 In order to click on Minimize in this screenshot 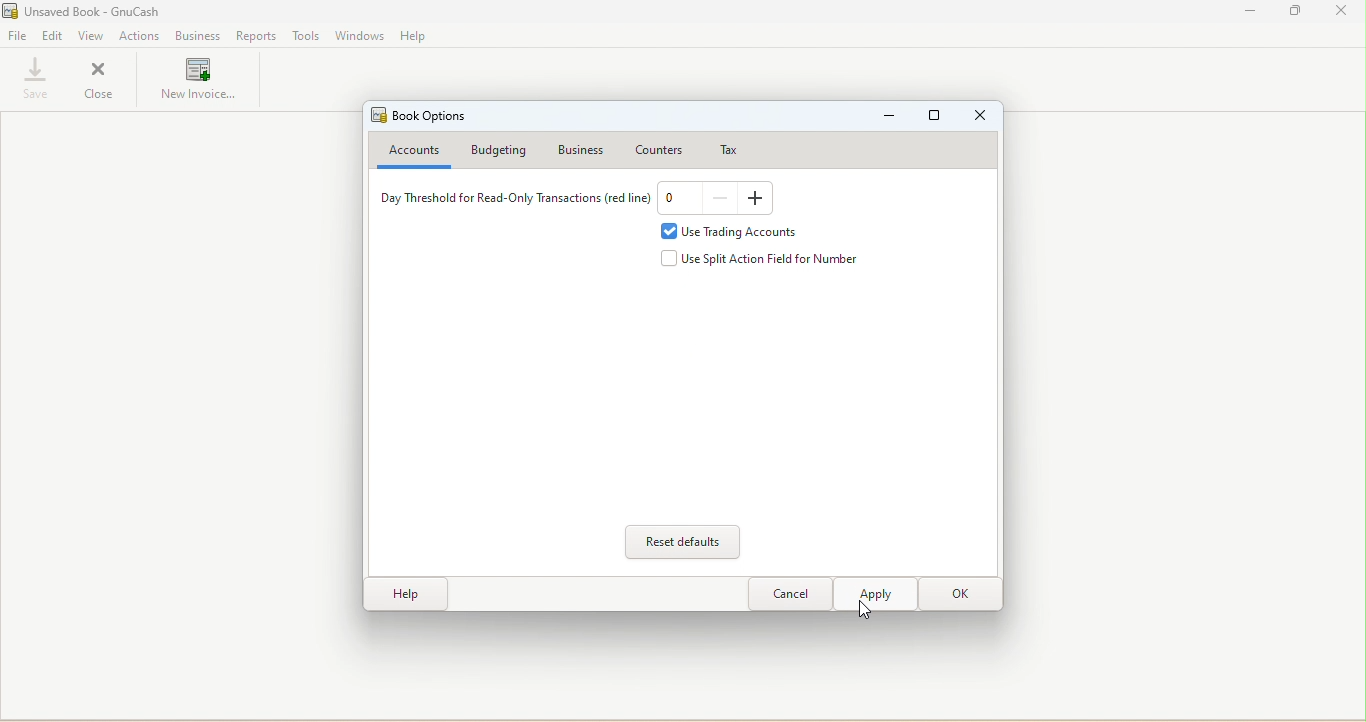, I will do `click(1252, 11)`.